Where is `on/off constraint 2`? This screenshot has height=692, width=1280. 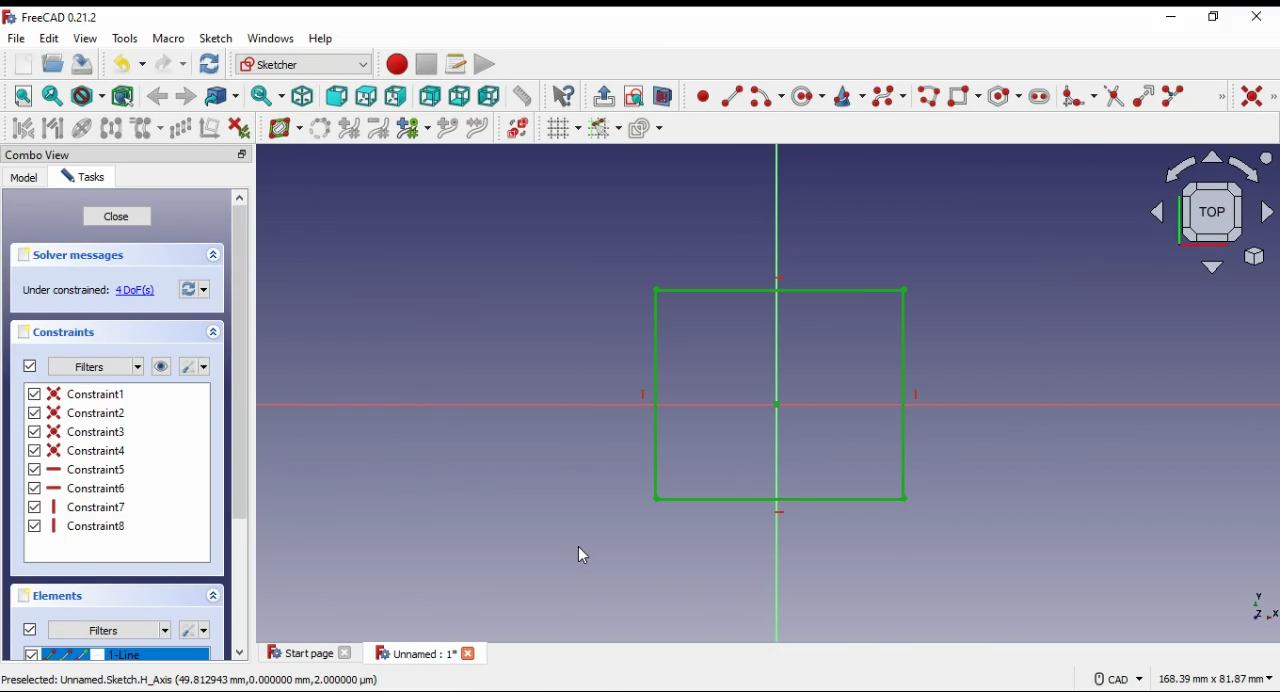
on/off constraint 2 is located at coordinates (88, 412).